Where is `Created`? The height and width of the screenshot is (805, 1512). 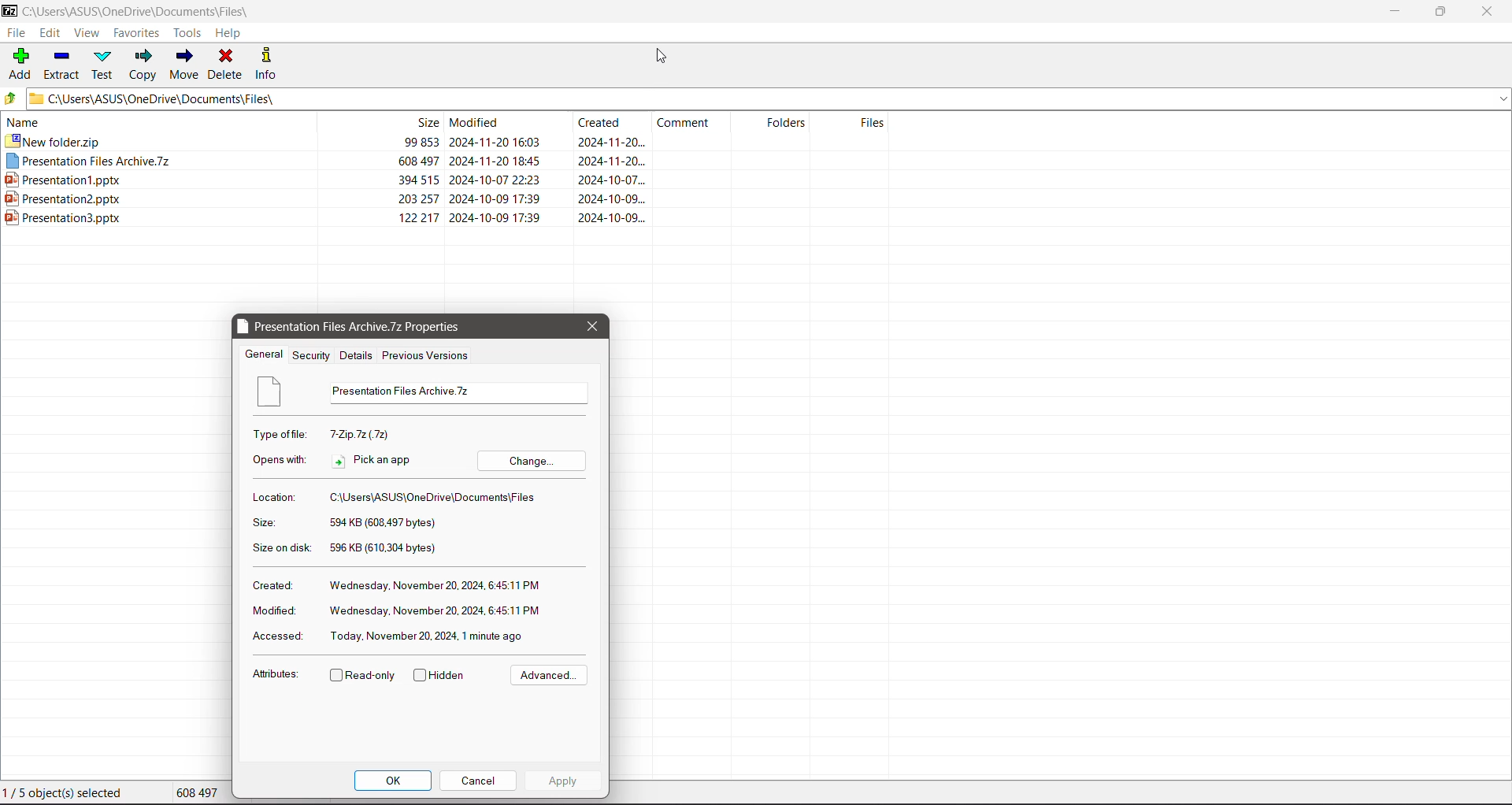
Created is located at coordinates (274, 584).